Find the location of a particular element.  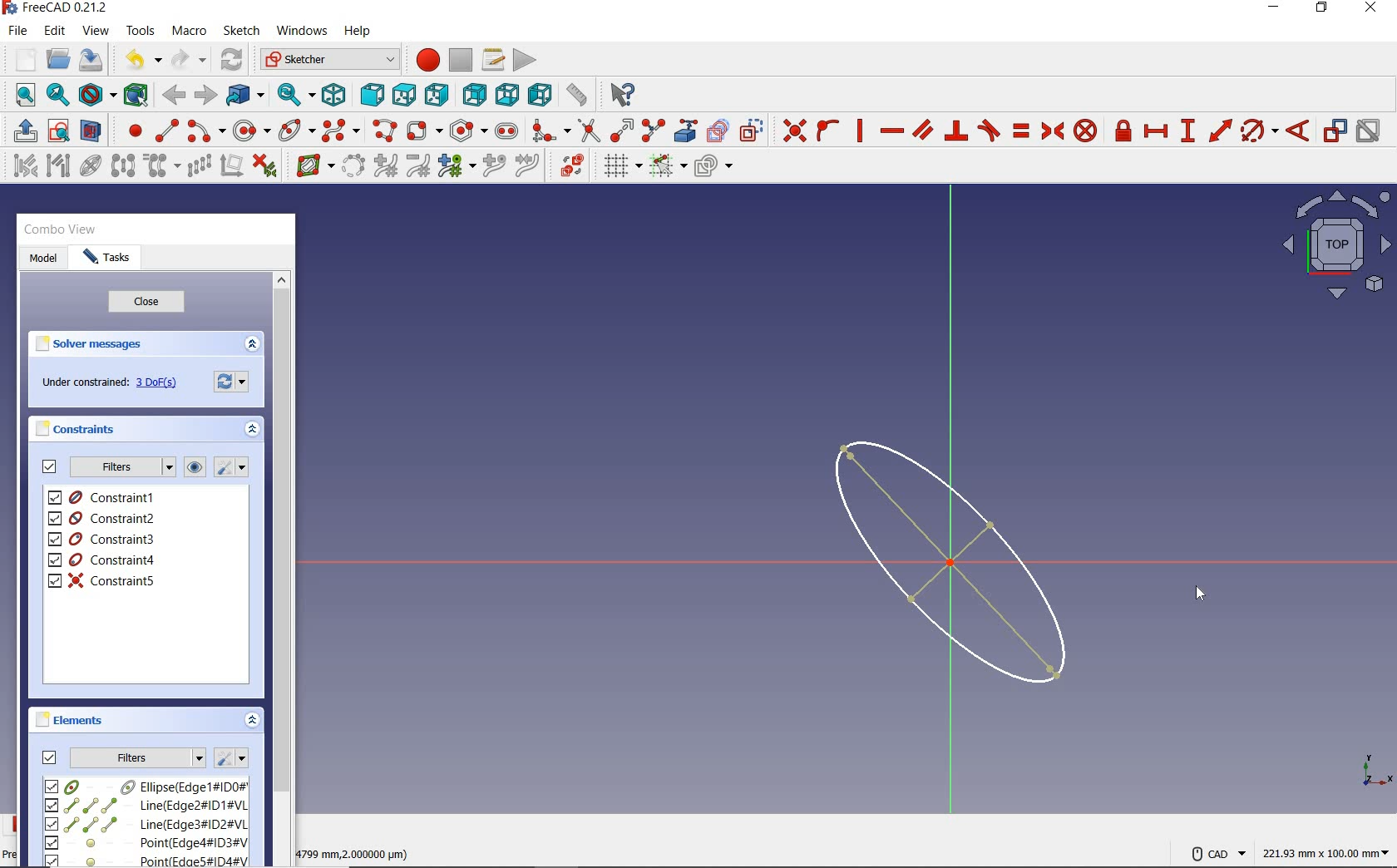

create slot is located at coordinates (505, 130).